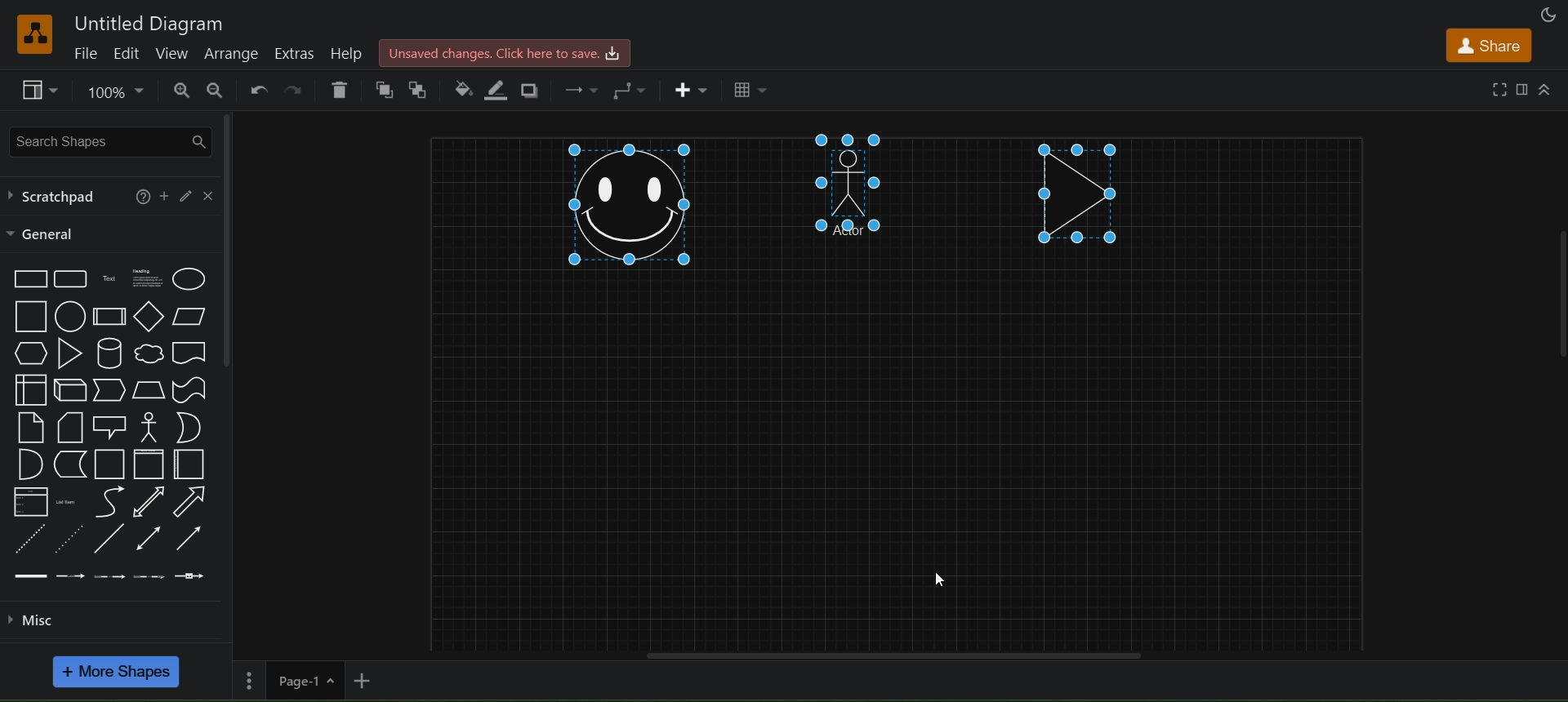 This screenshot has height=702, width=1568. What do you see at coordinates (189, 464) in the screenshot?
I see `horizontal container` at bounding box center [189, 464].